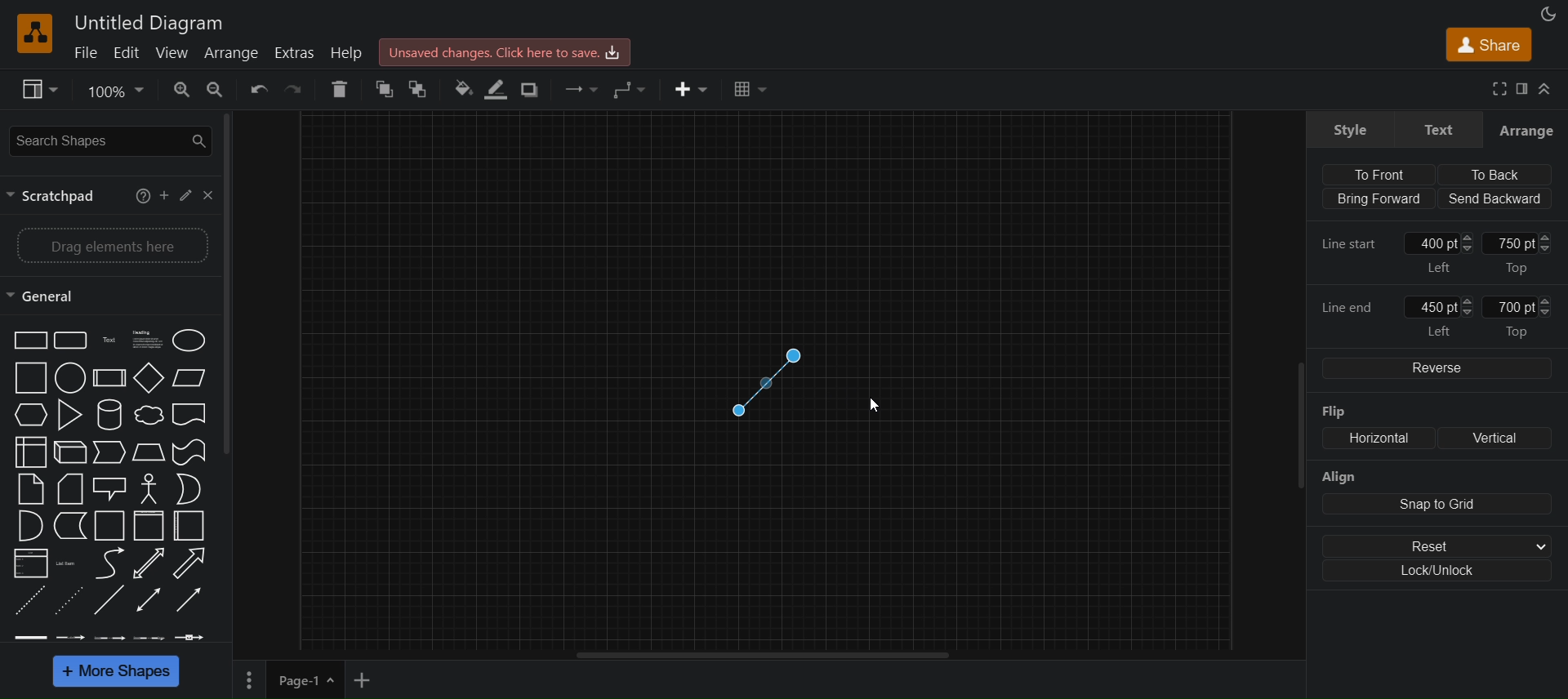  What do you see at coordinates (188, 489) in the screenshot?
I see `Or` at bounding box center [188, 489].